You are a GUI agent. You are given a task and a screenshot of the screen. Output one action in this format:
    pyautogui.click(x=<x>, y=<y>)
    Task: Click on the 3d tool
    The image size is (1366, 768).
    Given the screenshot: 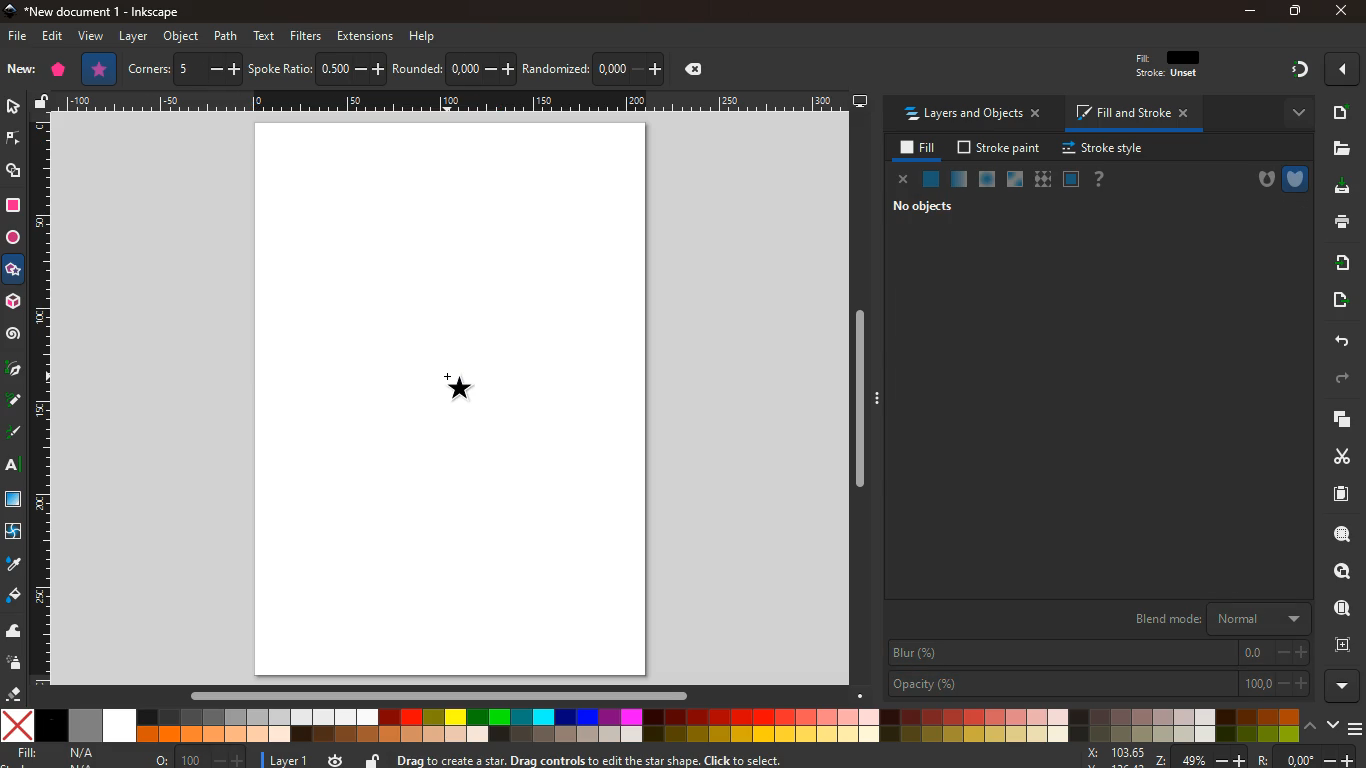 What is the action you would take?
    pyautogui.click(x=13, y=302)
    